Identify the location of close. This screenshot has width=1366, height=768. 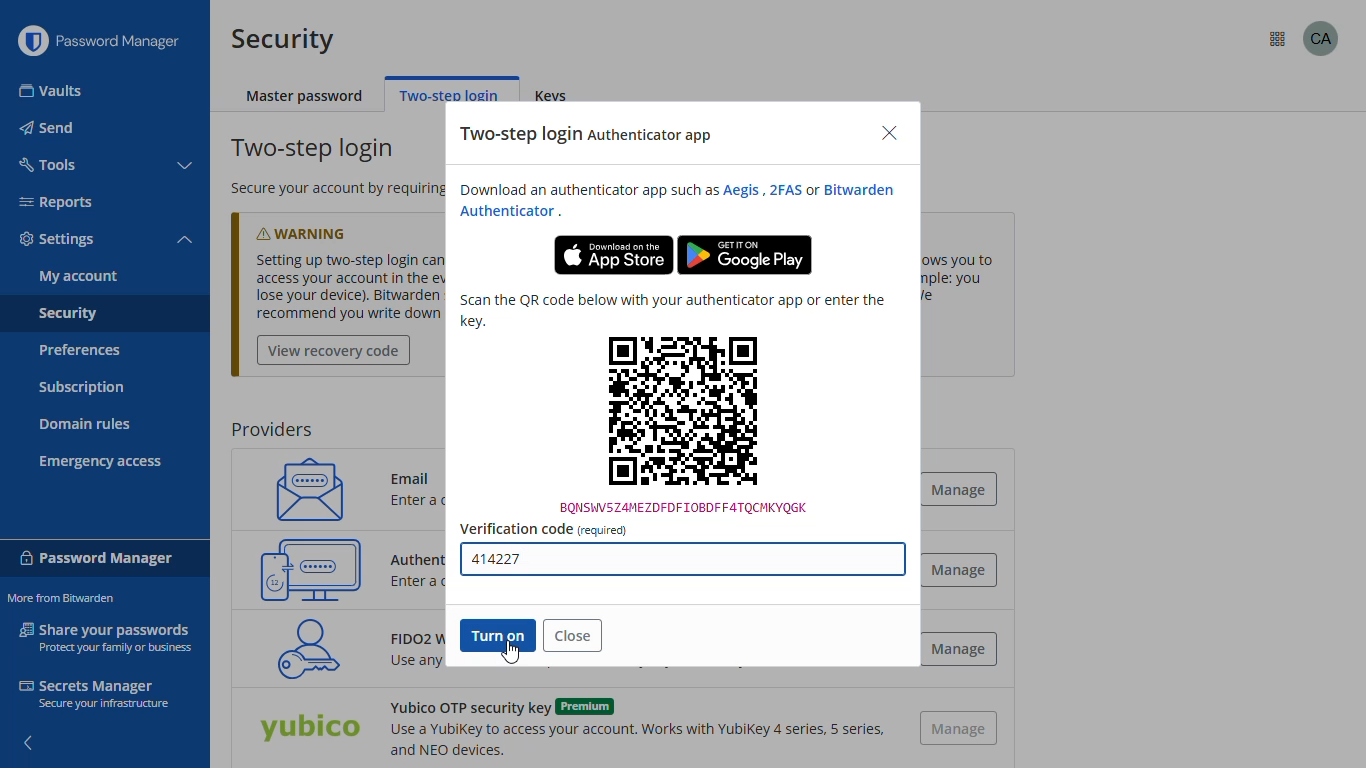
(889, 134).